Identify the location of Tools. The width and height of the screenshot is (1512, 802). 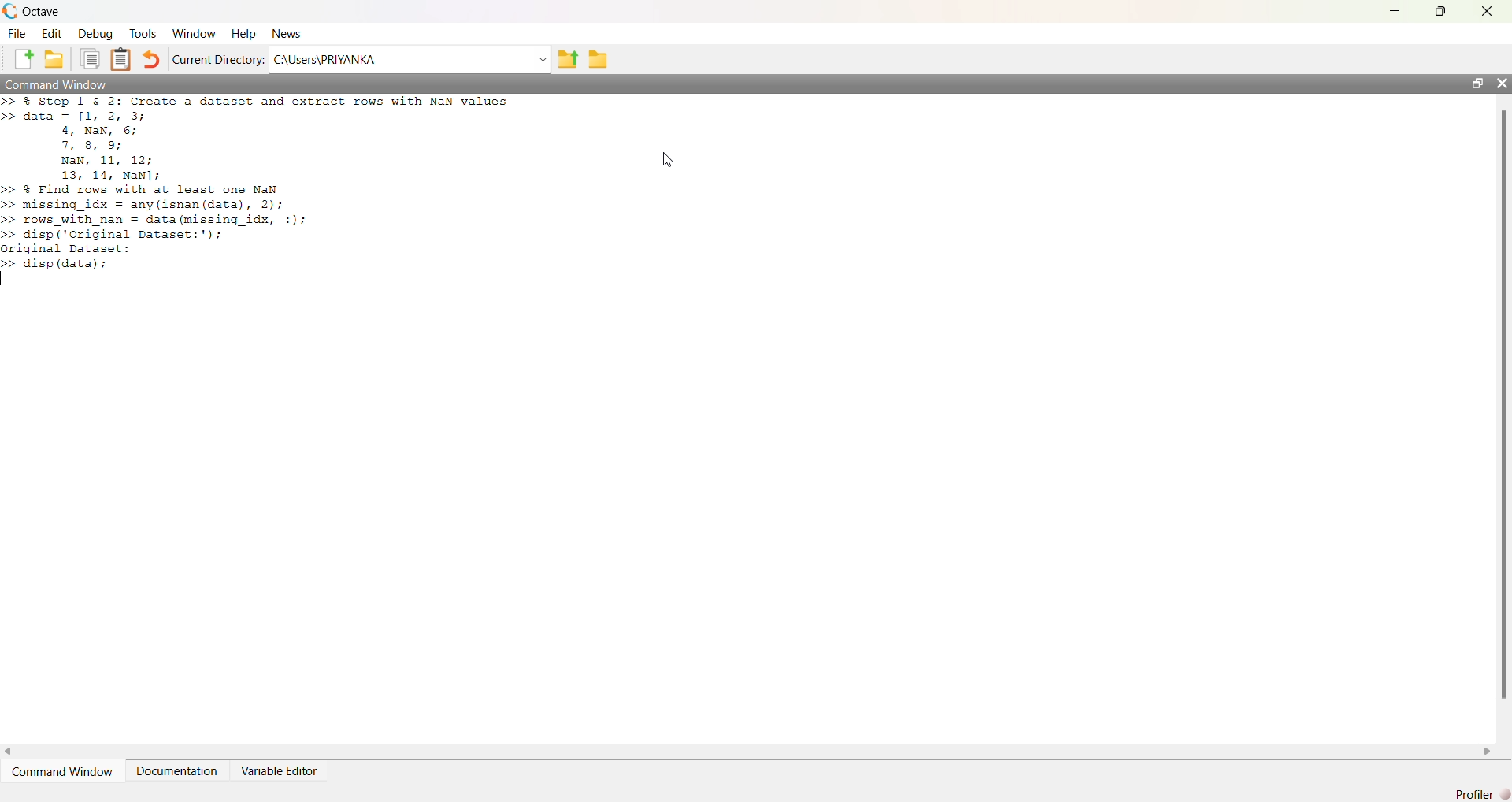
(143, 33).